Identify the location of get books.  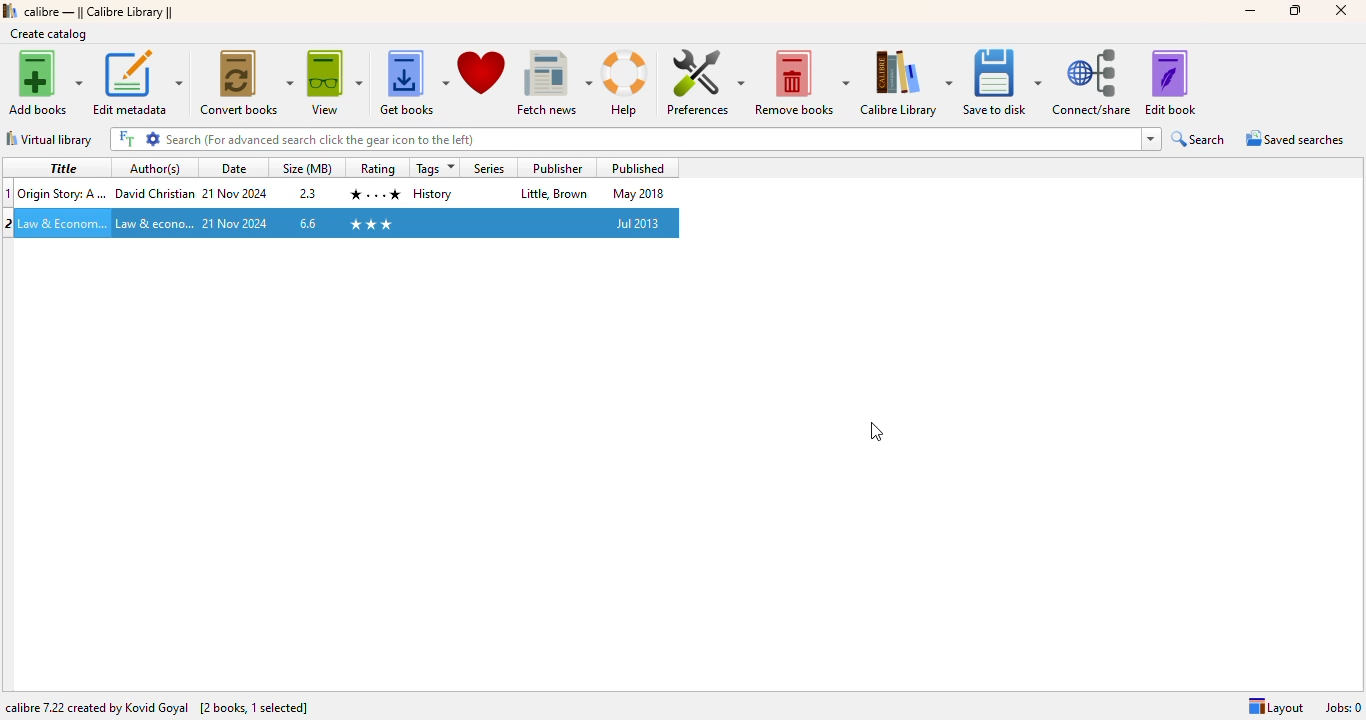
(413, 83).